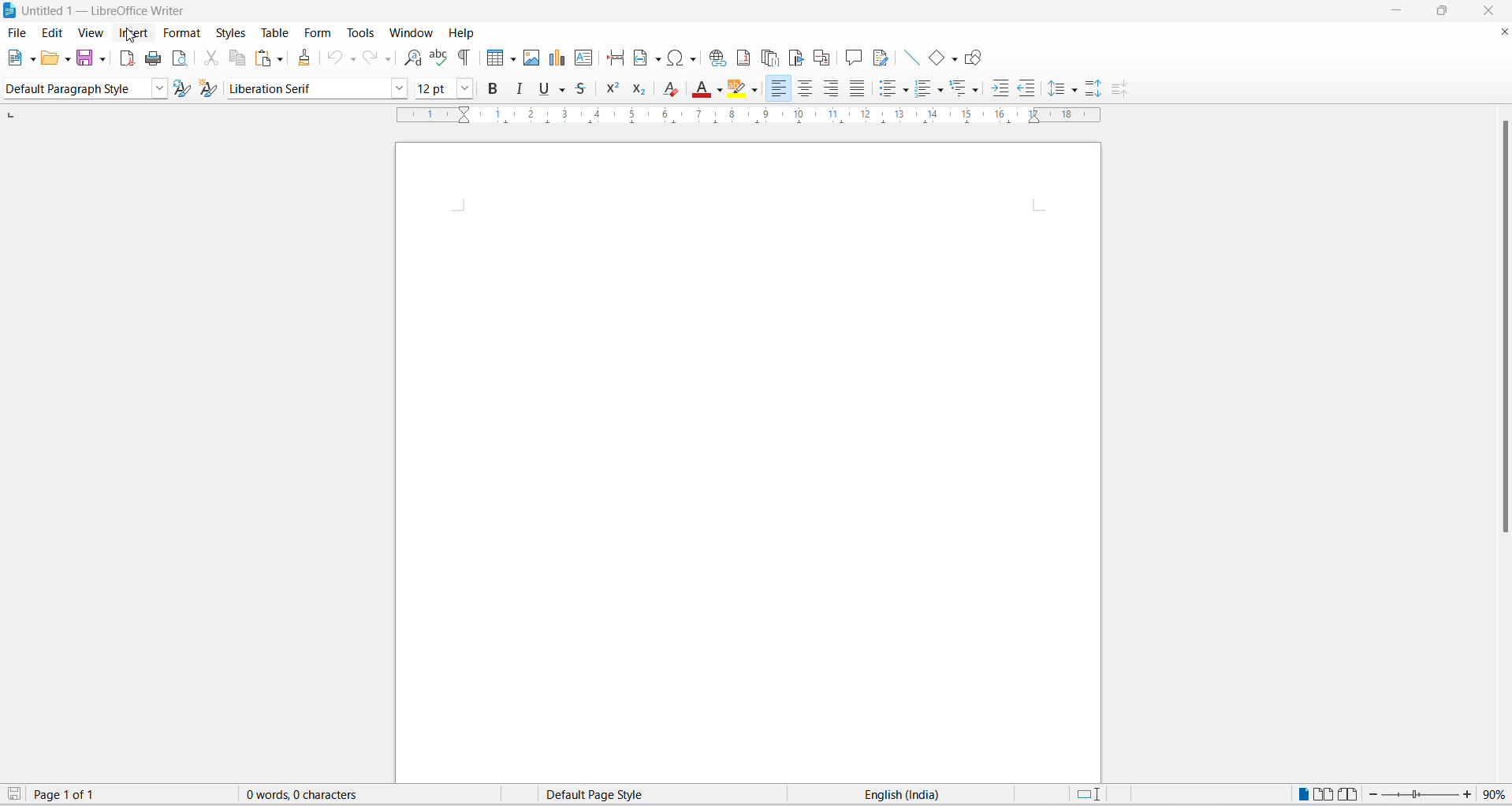 The image size is (1512, 806). Describe the element at coordinates (470, 88) in the screenshot. I see `font size options` at that location.